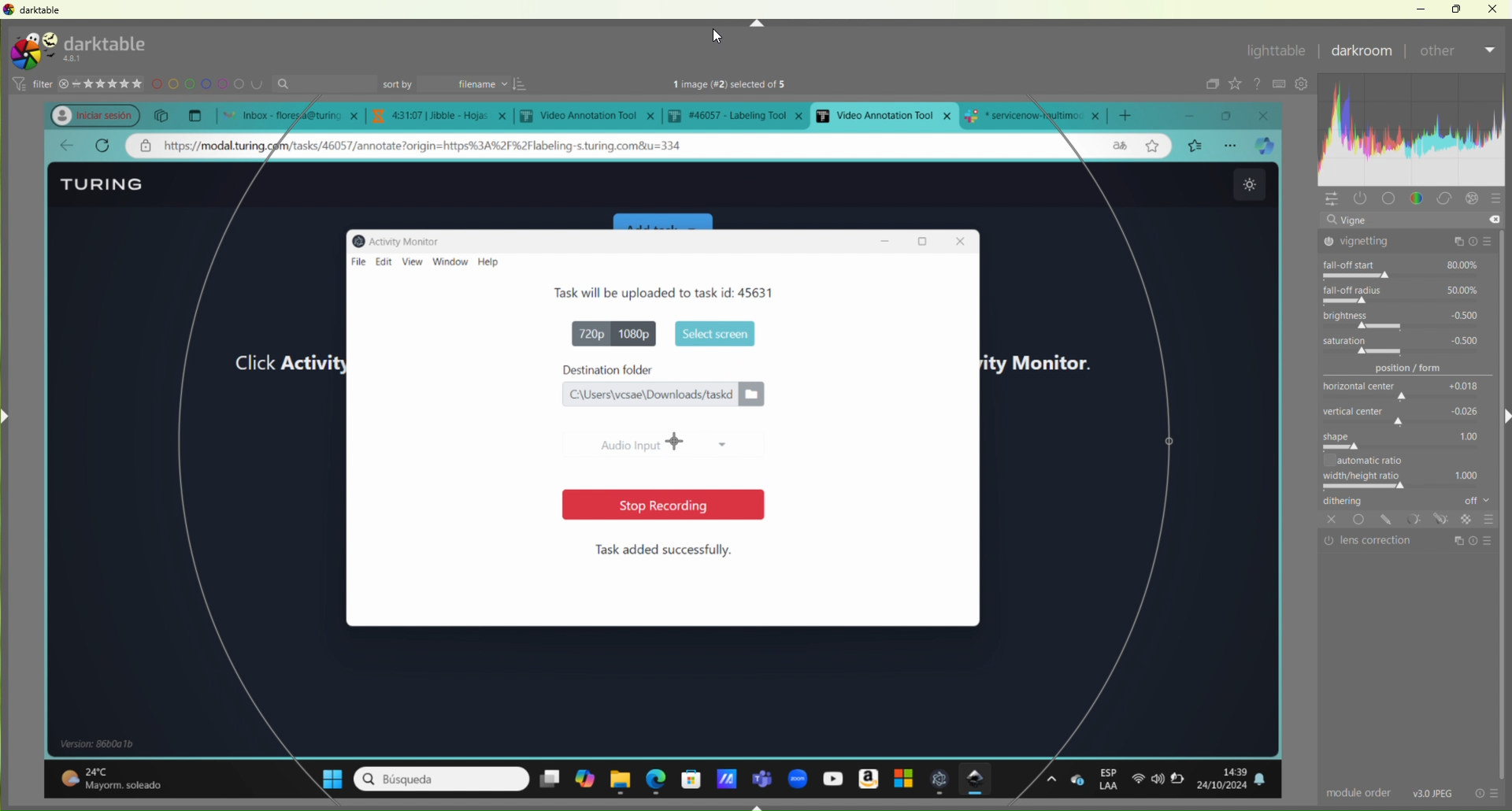  I want to click on New tab, so click(195, 114).